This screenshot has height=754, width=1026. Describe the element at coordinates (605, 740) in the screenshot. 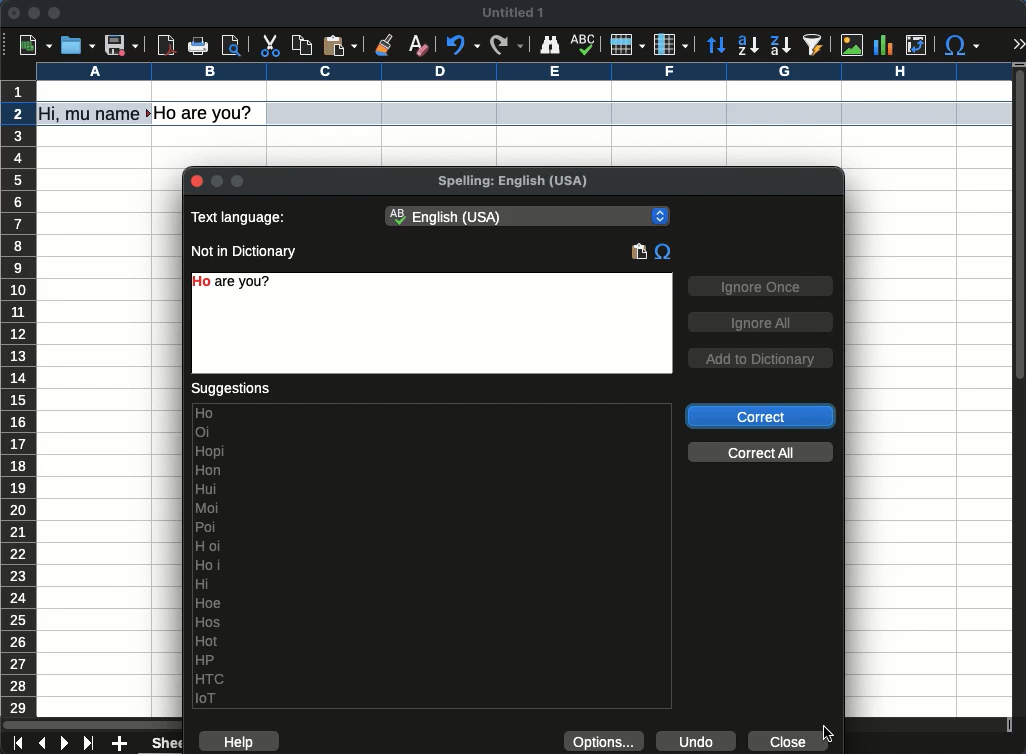

I see `options` at that location.